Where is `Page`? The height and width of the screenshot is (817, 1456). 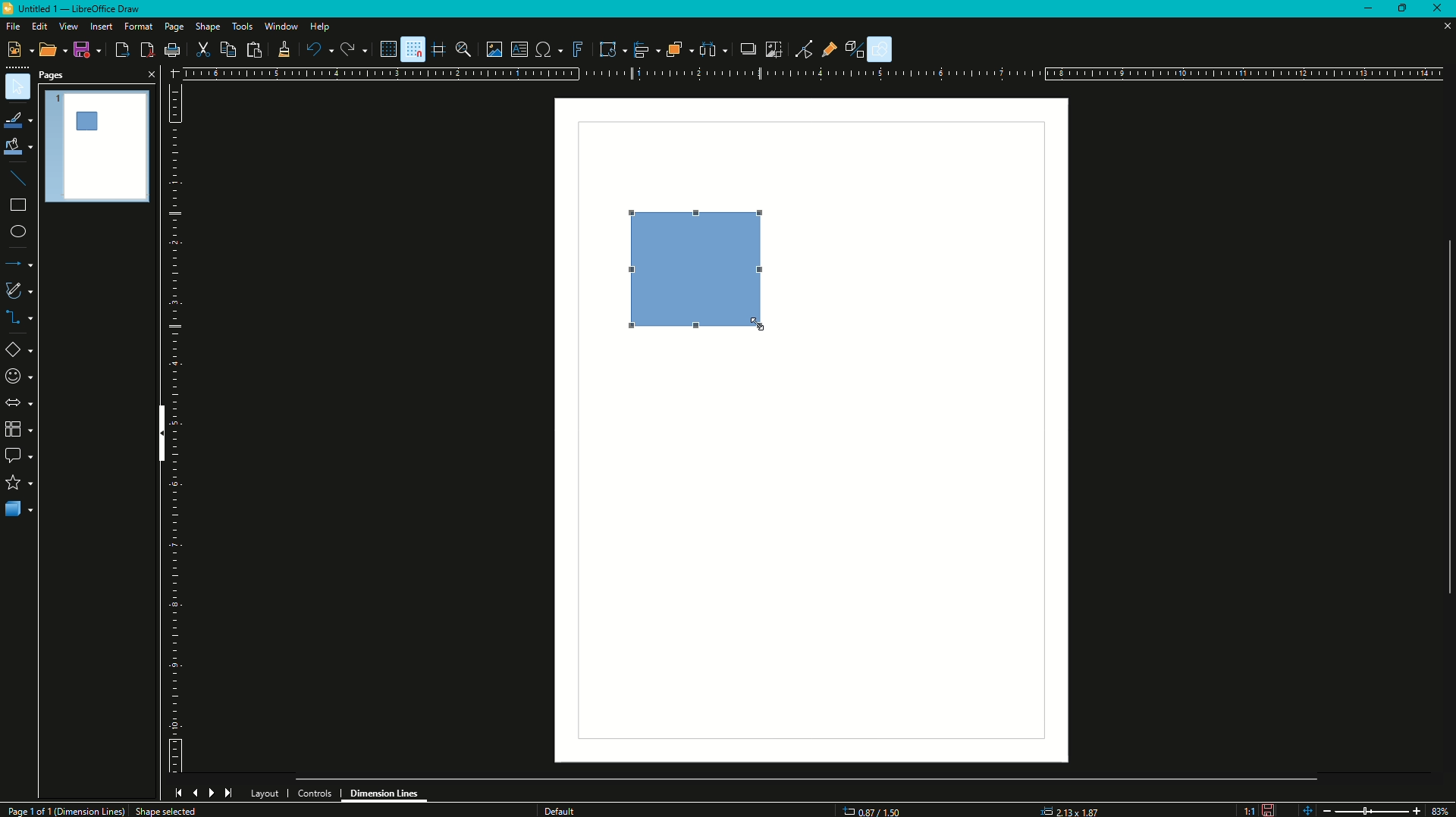 Page is located at coordinates (173, 28).